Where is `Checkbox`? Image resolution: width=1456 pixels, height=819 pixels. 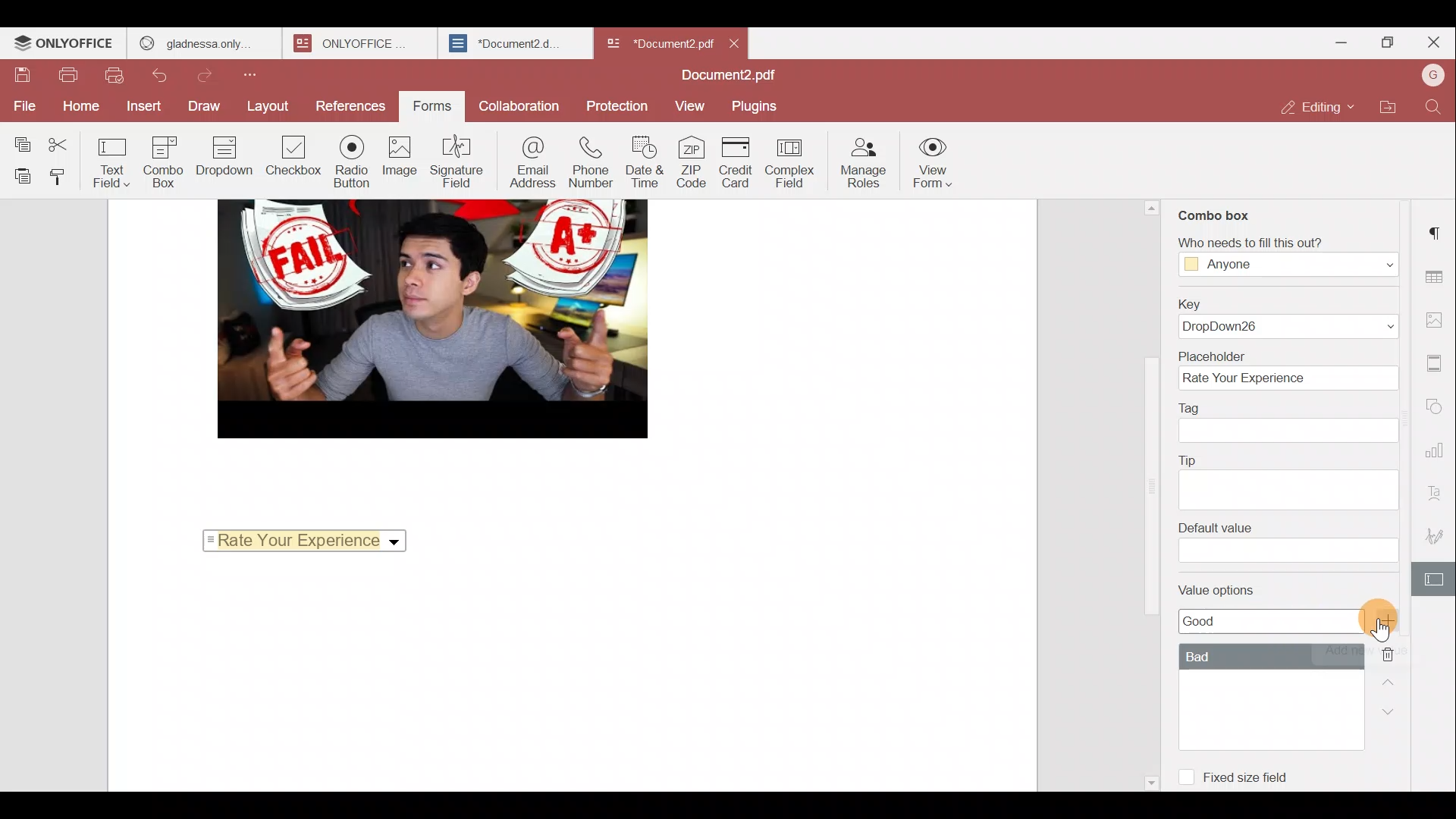
Checkbox is located at coordinates (290, 158).